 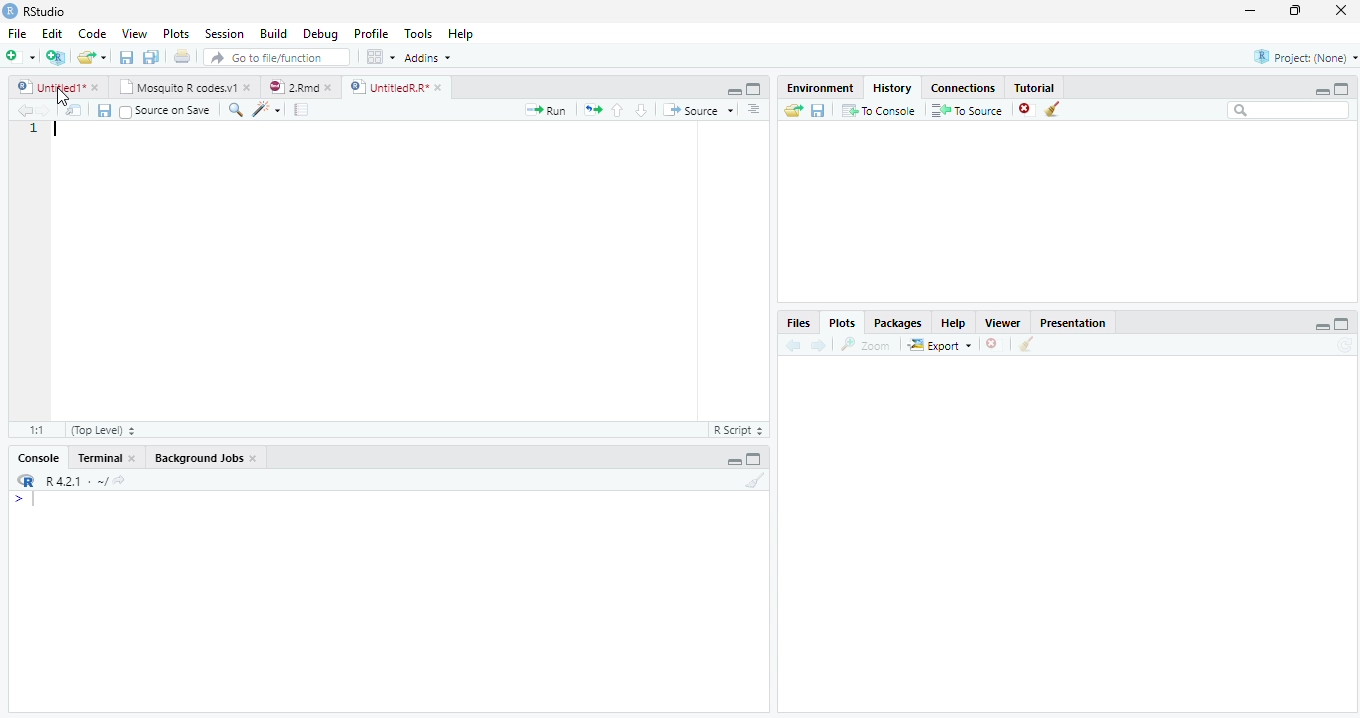 I want to click on File, so click(x=14, y=34).